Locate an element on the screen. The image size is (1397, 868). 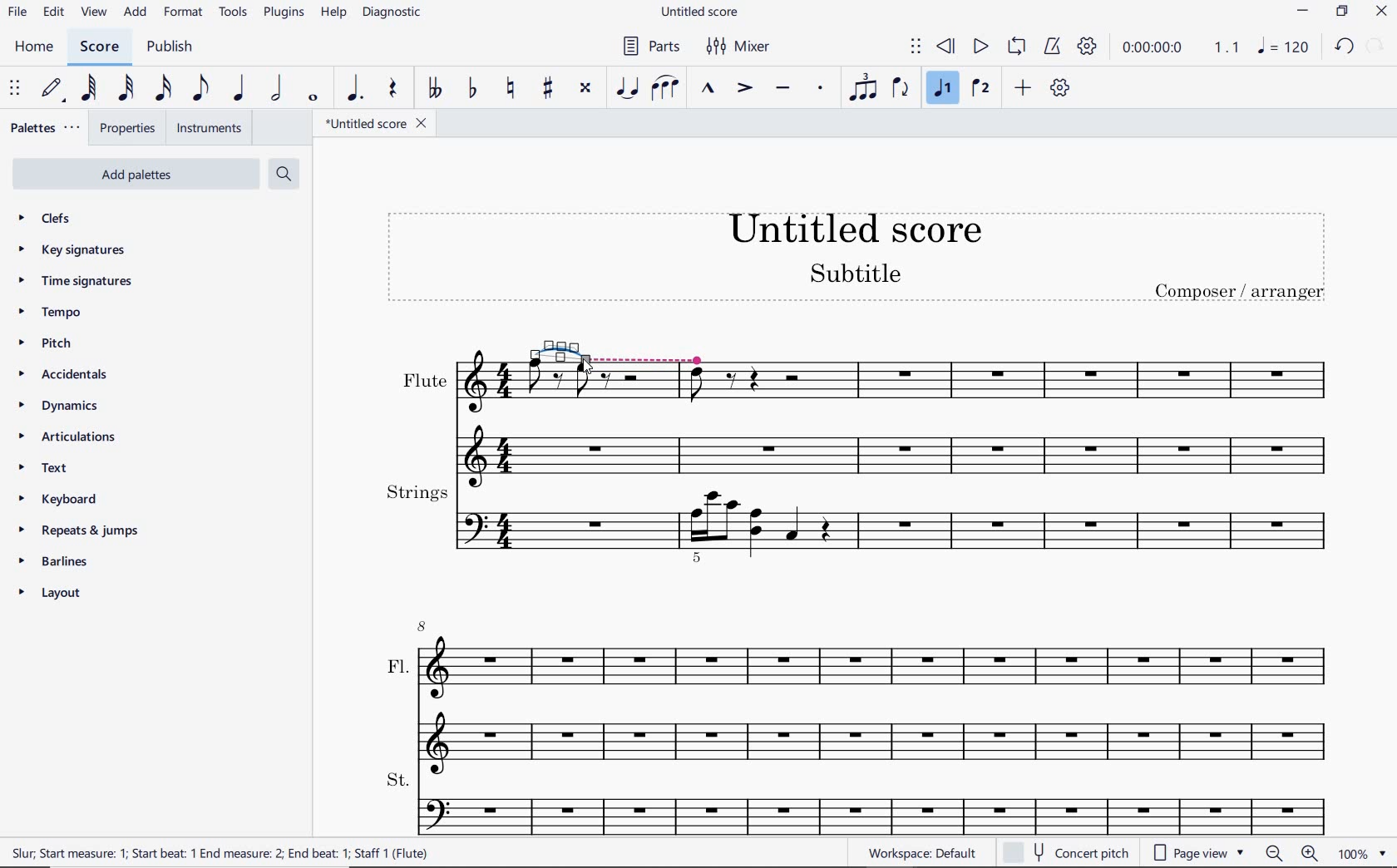
DEFAULT (STEP TIME) is located at coordinates (55, 88).